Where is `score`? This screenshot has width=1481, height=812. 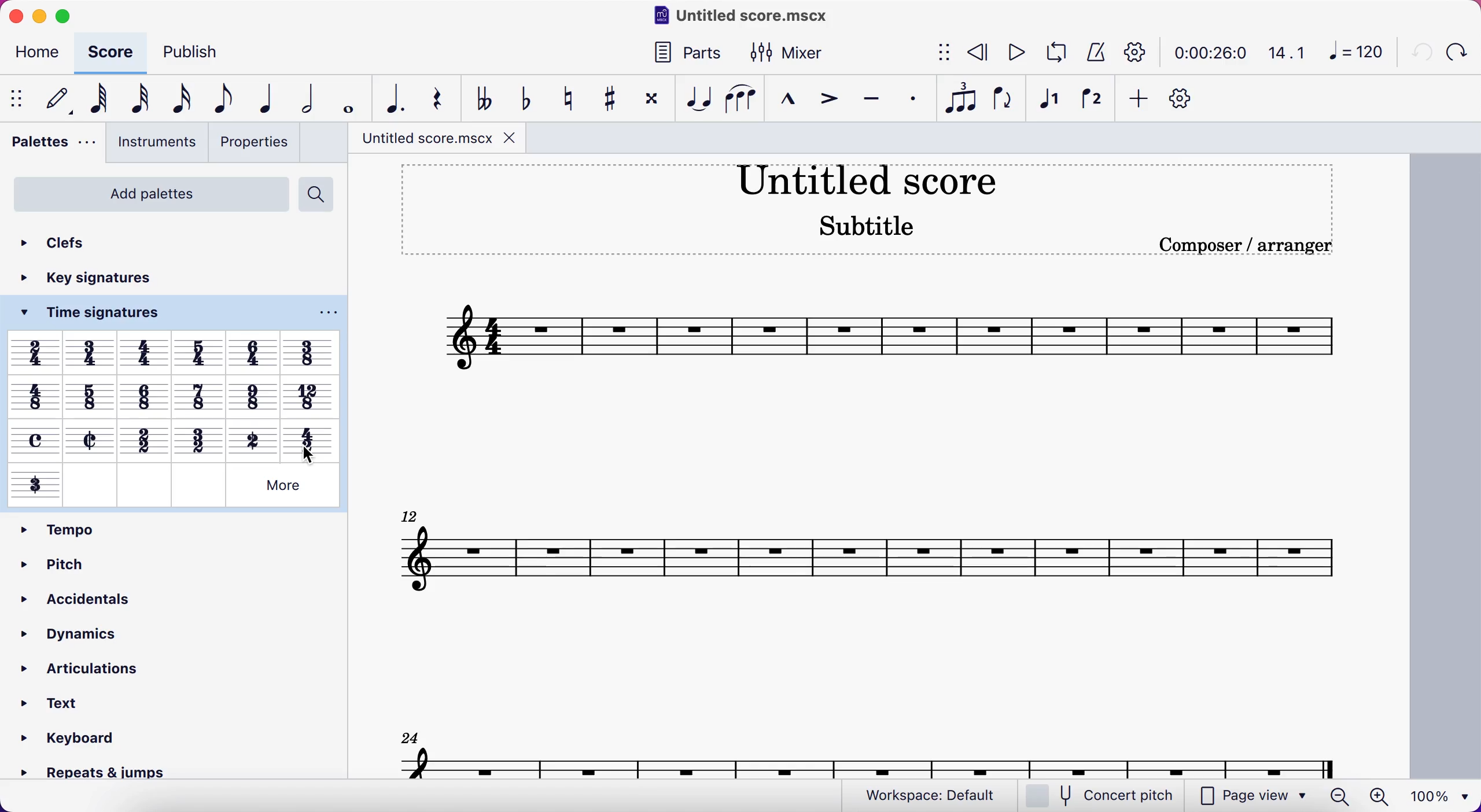 score is located at coordinates (878, 337).